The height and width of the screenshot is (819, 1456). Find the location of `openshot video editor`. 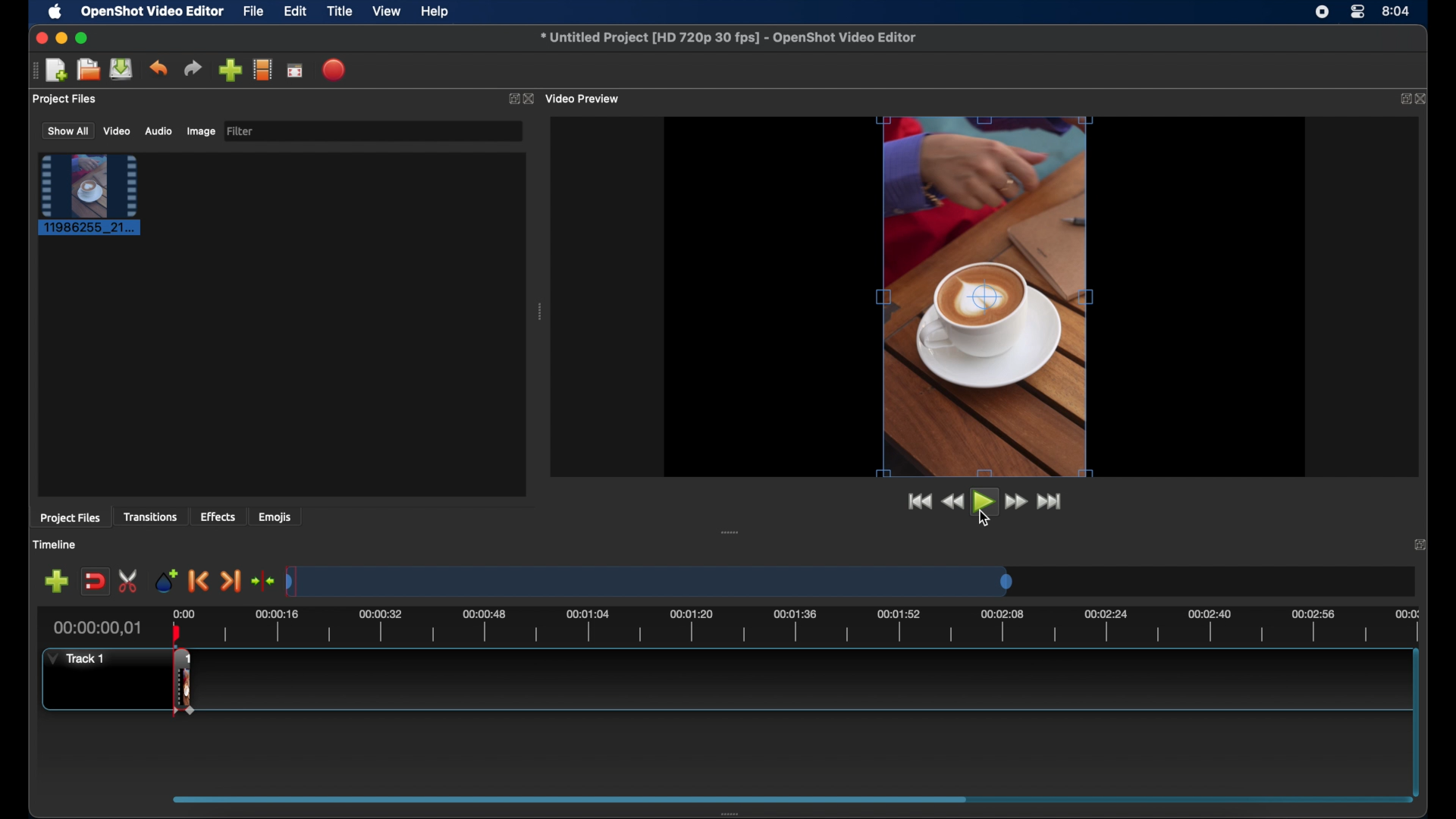

openshot video editor is located at coordinates (153, 12).